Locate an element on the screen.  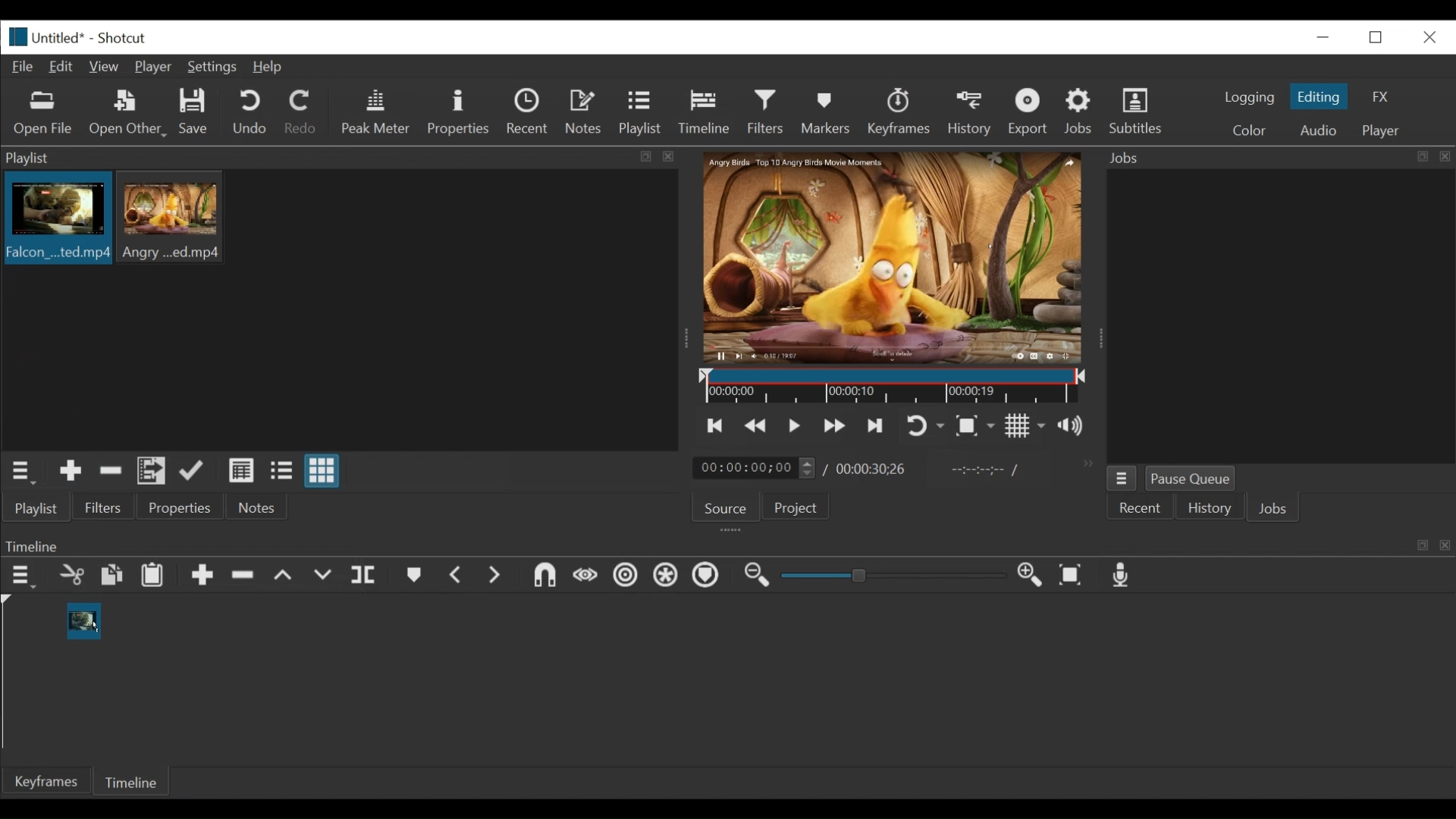
Recent is located at coordinates (531, 114).